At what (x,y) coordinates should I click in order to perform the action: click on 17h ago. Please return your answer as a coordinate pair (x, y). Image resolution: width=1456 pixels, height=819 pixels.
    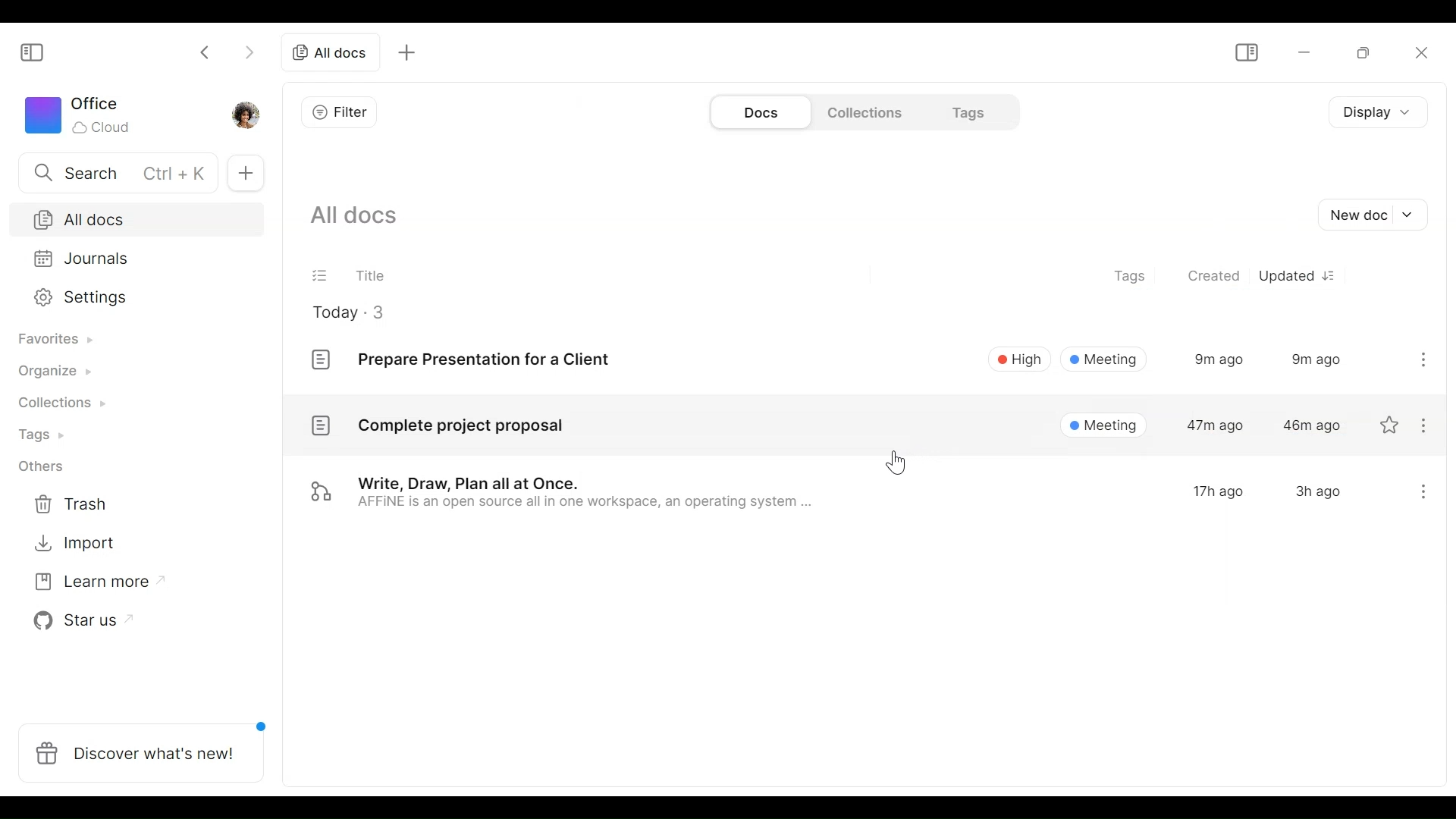
    Looking at the image, I should click on (1219, 494).